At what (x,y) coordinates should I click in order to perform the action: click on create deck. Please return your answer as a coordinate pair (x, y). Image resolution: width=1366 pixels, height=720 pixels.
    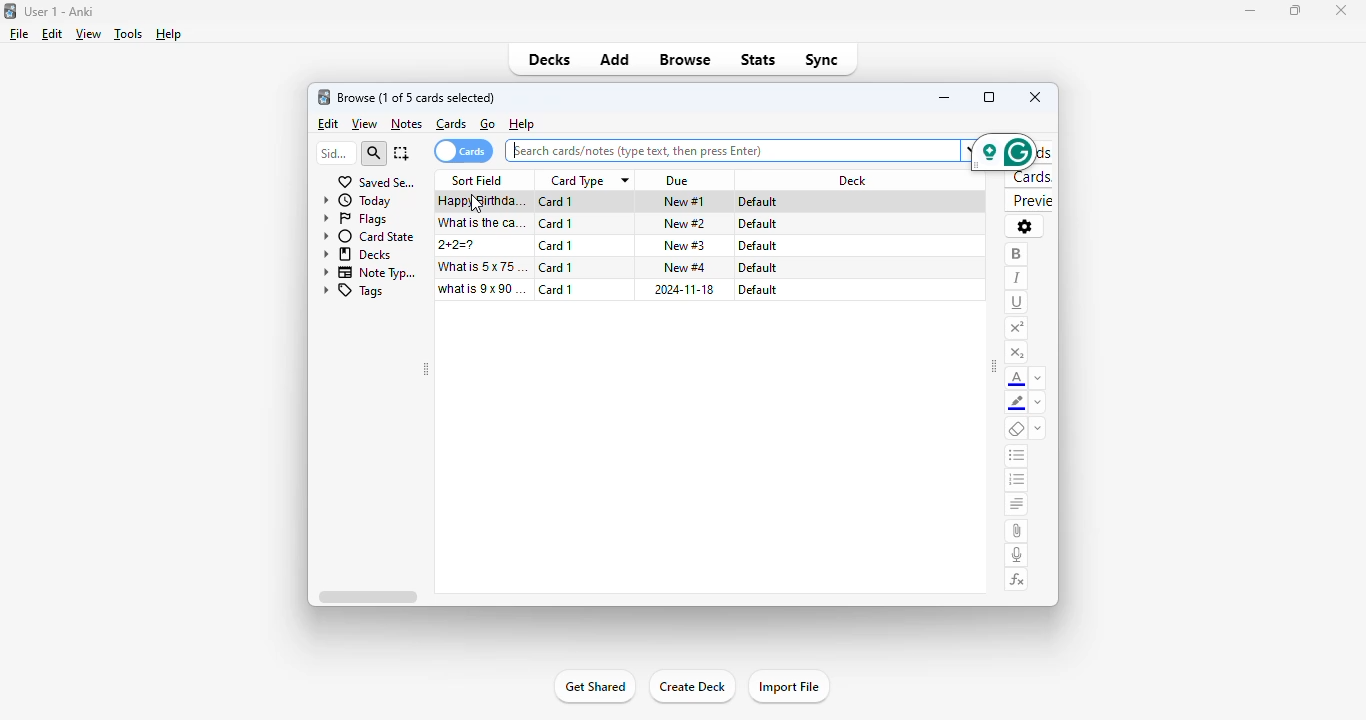
    Looking at the image, I should click on (691, 686).